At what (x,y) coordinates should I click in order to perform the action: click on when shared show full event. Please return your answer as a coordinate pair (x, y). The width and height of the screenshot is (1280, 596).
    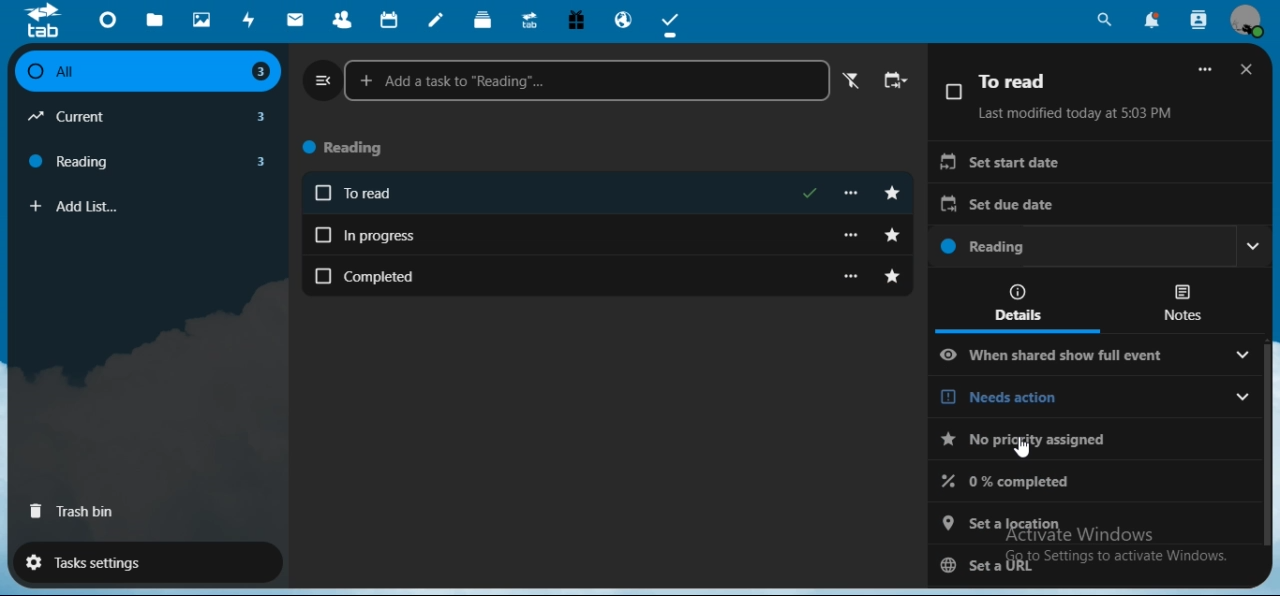
    Looking at the image, I should click on (1074, 355).